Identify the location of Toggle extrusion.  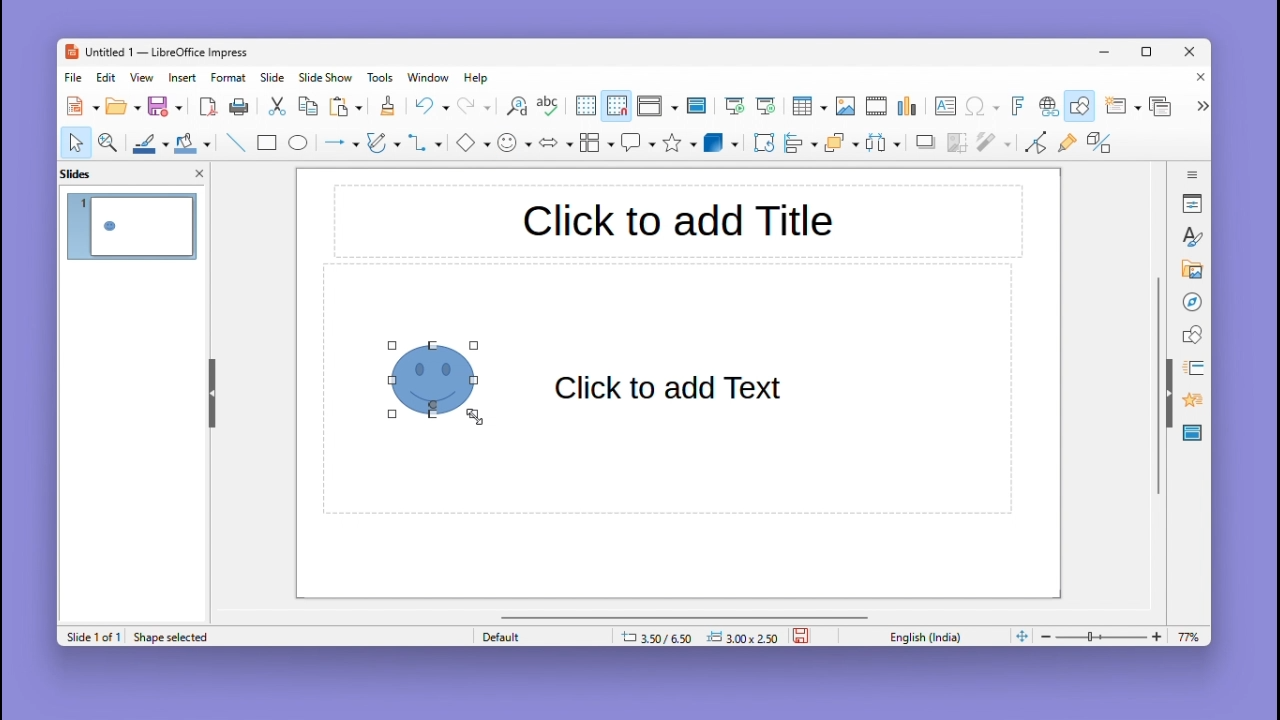
(1099, 144).